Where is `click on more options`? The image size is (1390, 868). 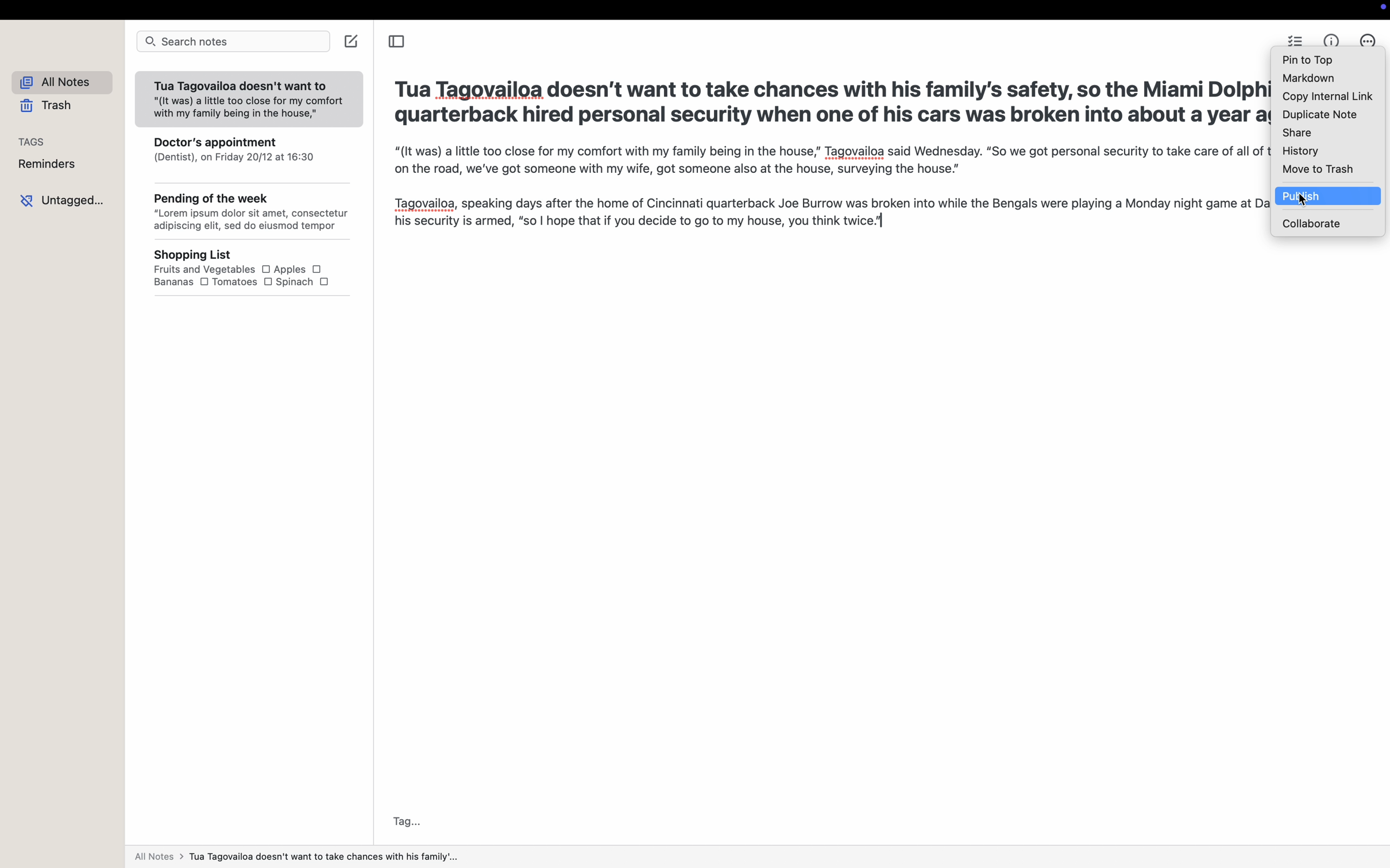 click on more options is located at coordinates (1365, 39).